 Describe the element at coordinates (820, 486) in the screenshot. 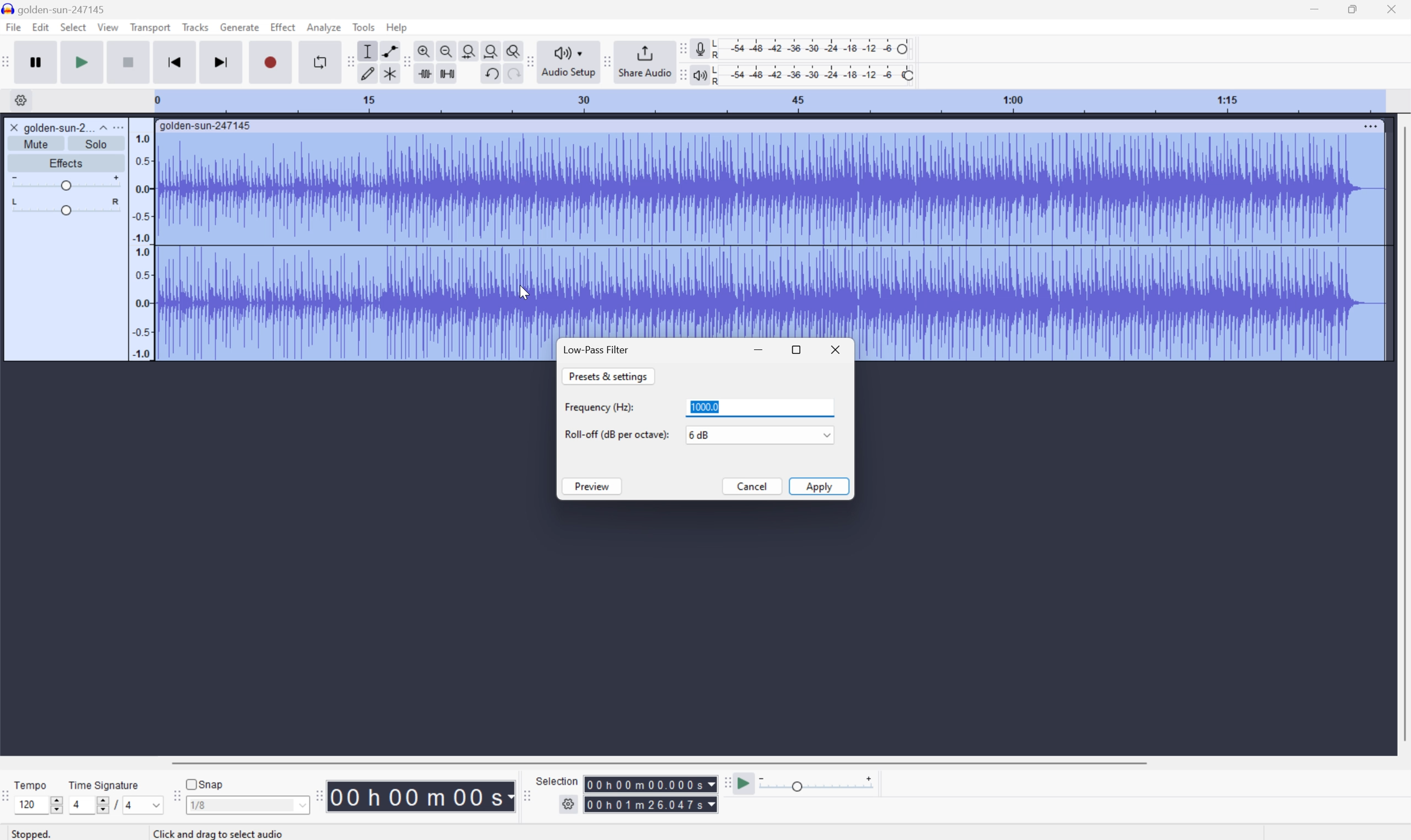

I see `Apply` at that location.